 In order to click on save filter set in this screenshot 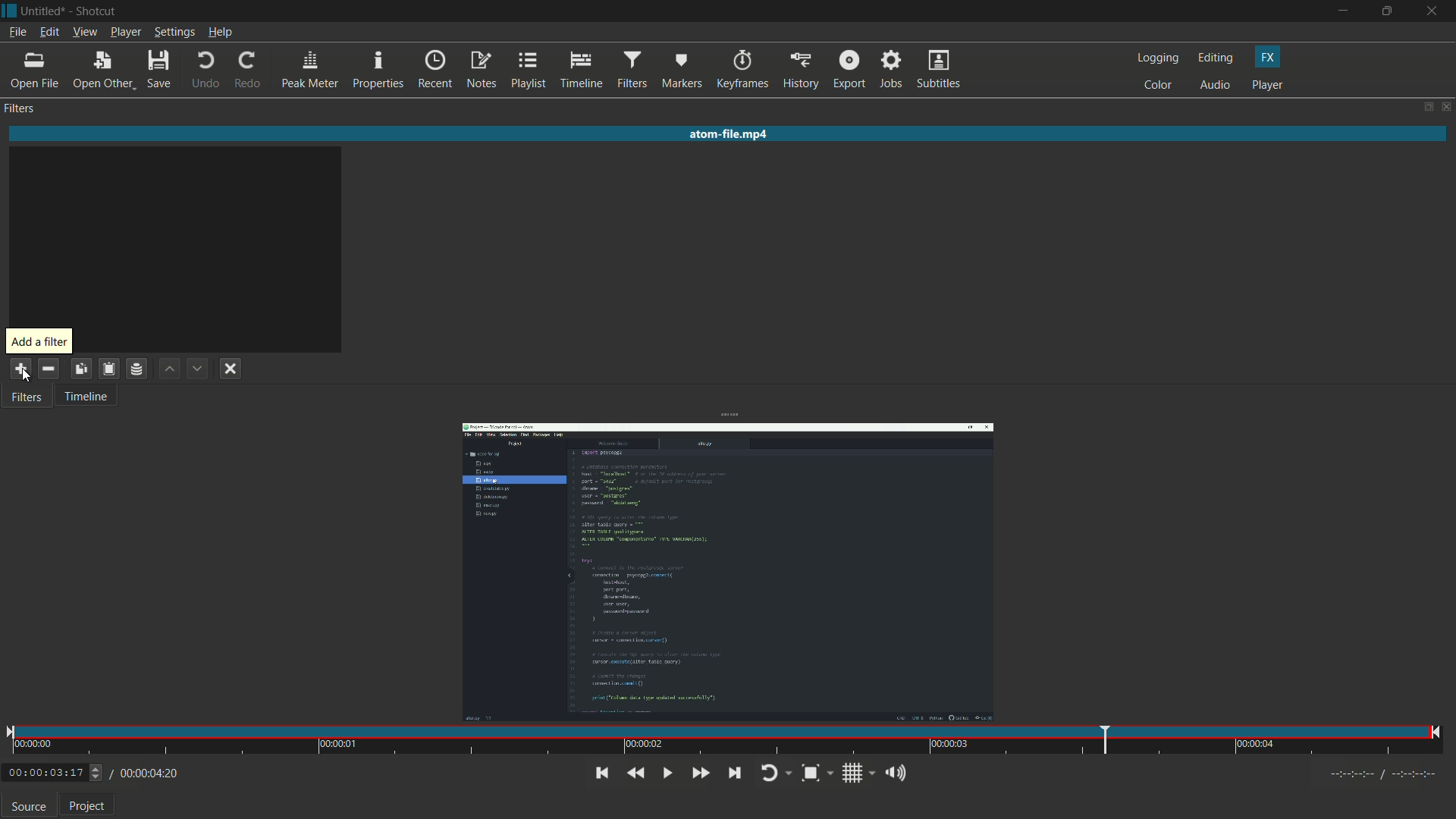, I will do `click(137, 369)`.